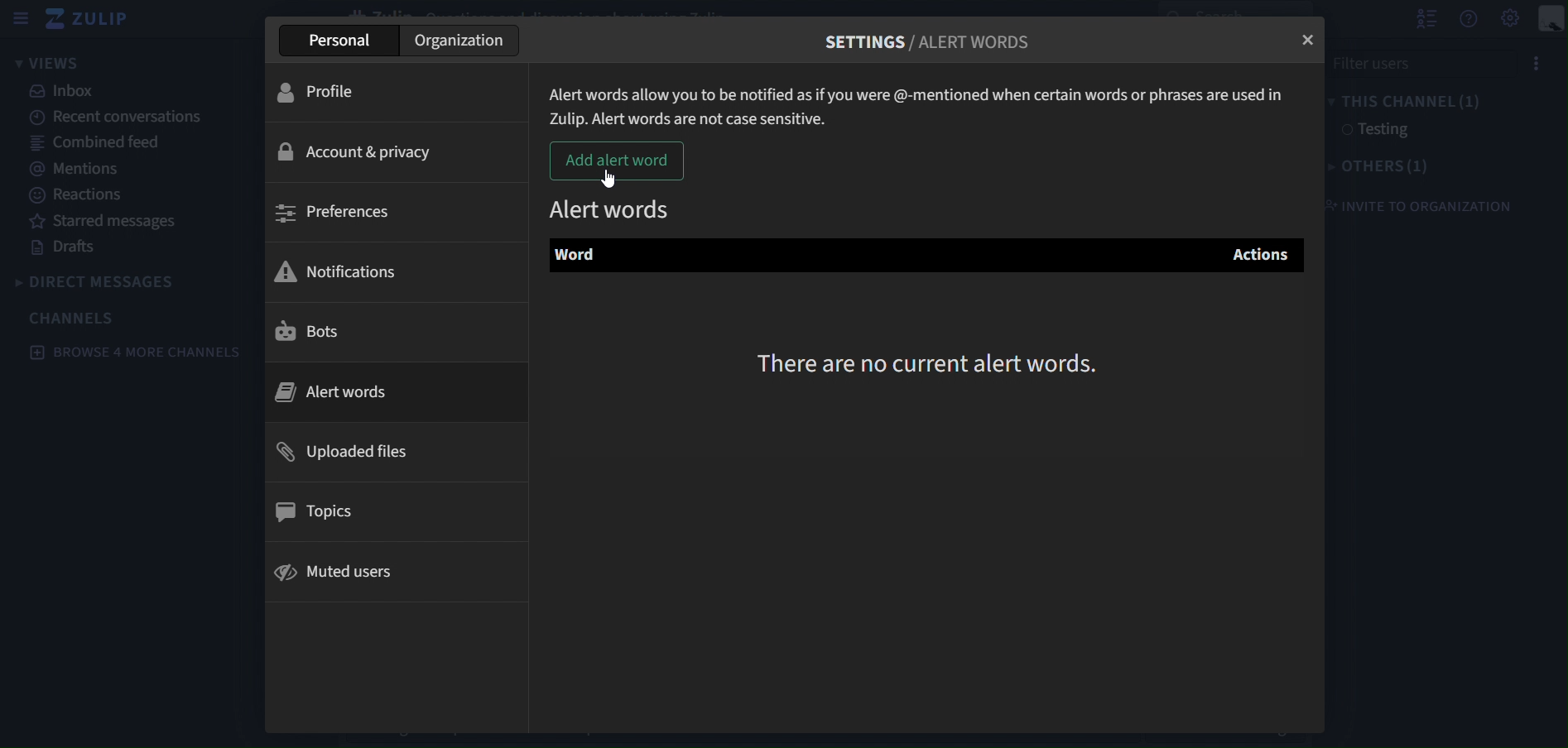  What do you see at coordinates (464, 40) in the screenshot?
I see `organization` at bounding box center [464, 40].